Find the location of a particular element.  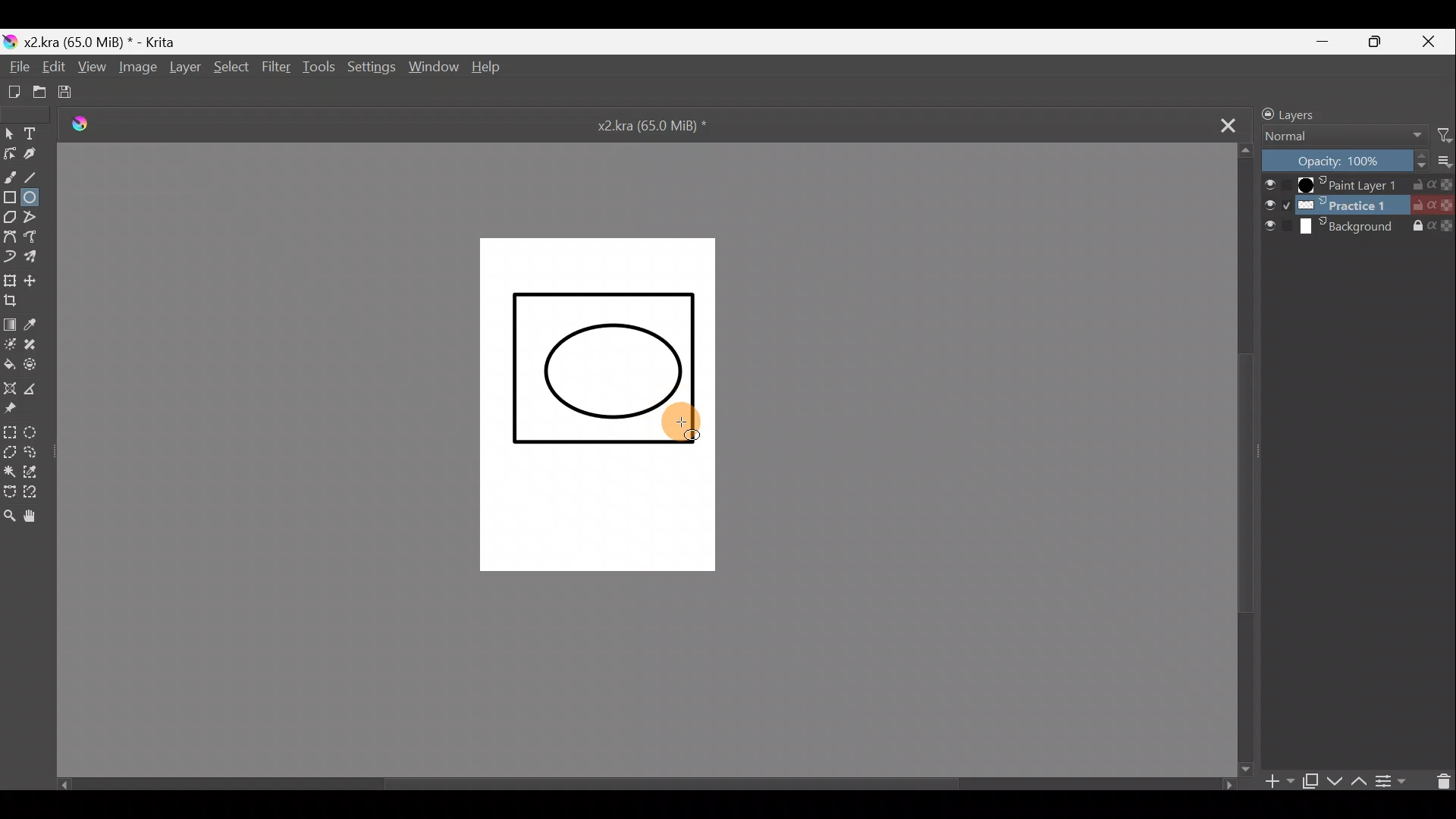

Colourise mask tool is located at coordinates (10, 344).